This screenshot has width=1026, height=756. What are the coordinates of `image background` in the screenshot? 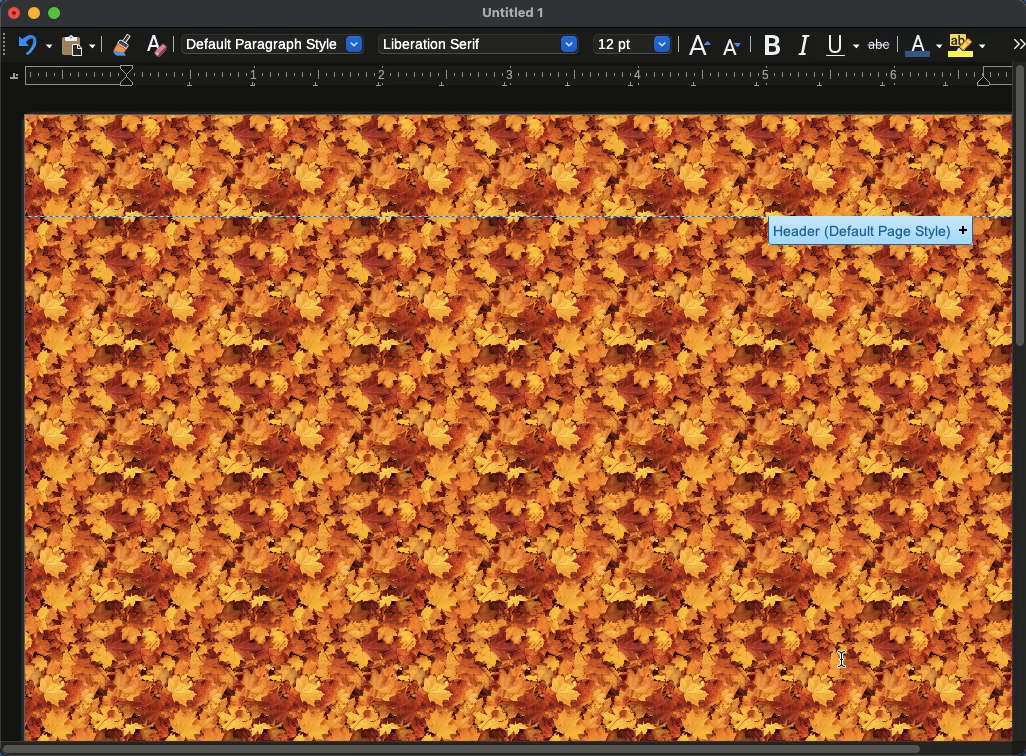 It's located at (518, 446).